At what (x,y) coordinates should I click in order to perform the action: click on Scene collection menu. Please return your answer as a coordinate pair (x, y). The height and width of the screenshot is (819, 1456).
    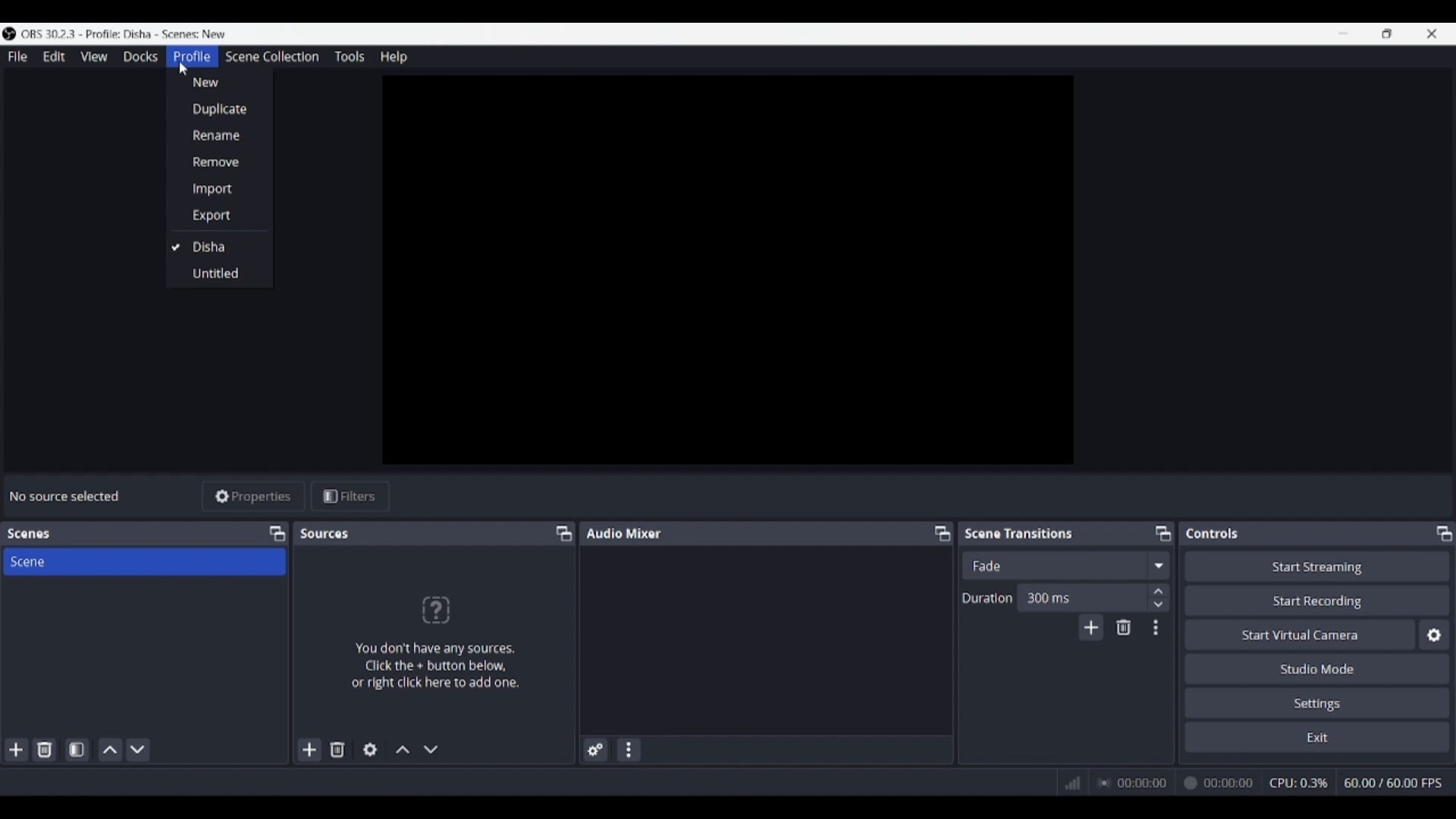
    Looking at the image, I should click on (271, 56).